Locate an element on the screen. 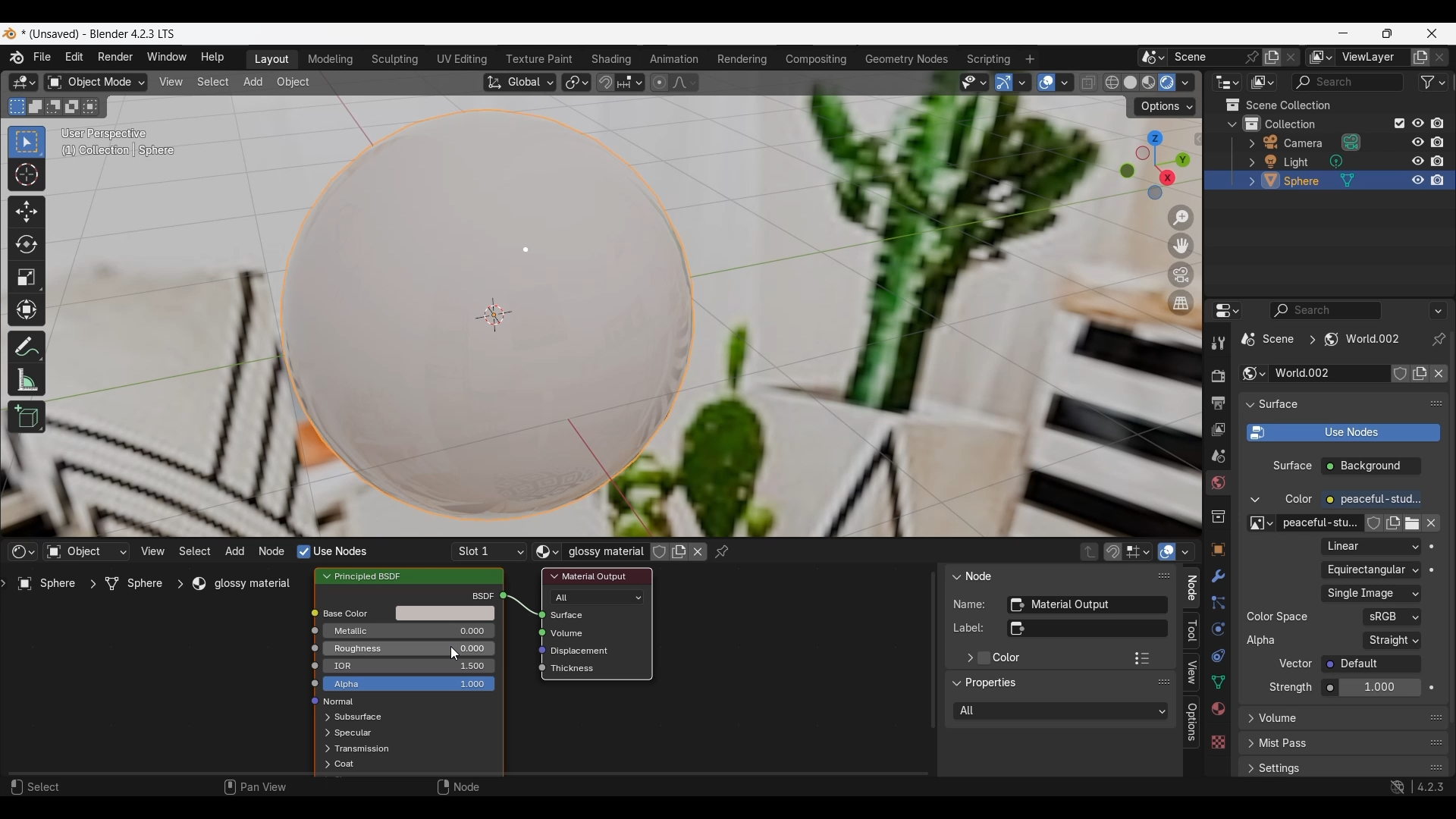 The width and height of the screenshot is (1456, 819). Move the view is located at coordinates (1181, 246).